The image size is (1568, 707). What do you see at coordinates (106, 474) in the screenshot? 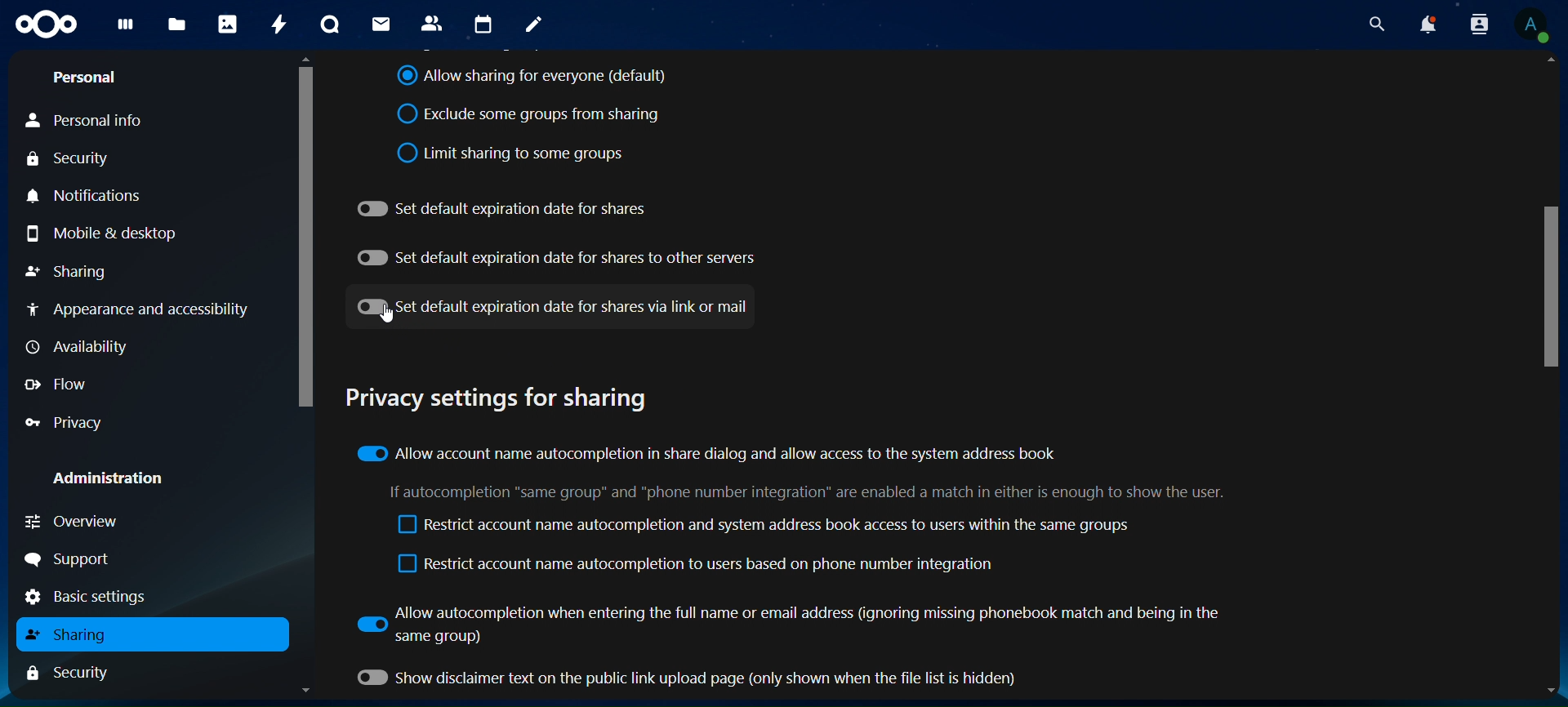
I see `administration` at bounding box center [106, 474].